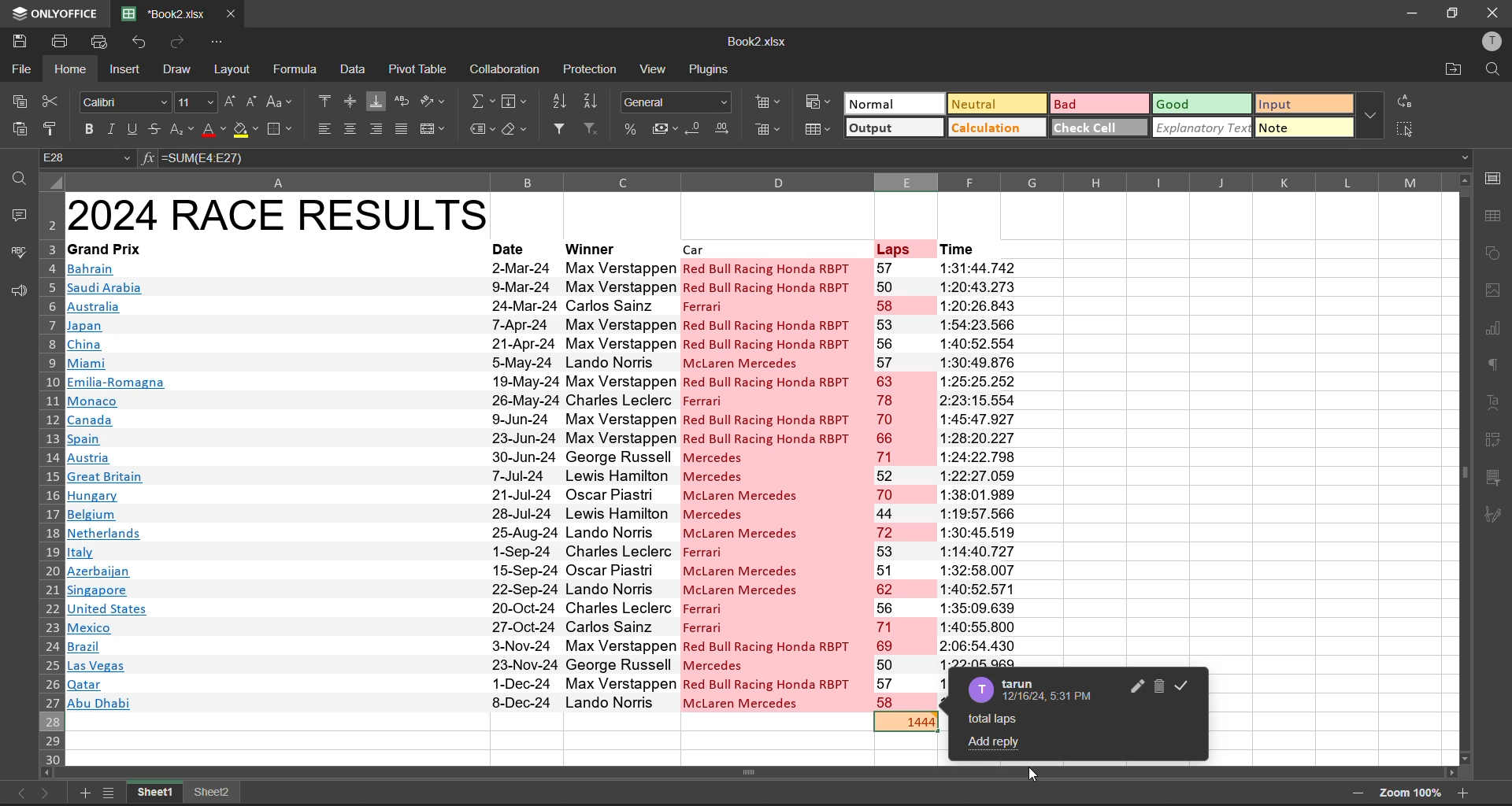  What do you see at coordinates (135, 43) in the screenshot?
I see `undo` at bounding box center [135, 43].